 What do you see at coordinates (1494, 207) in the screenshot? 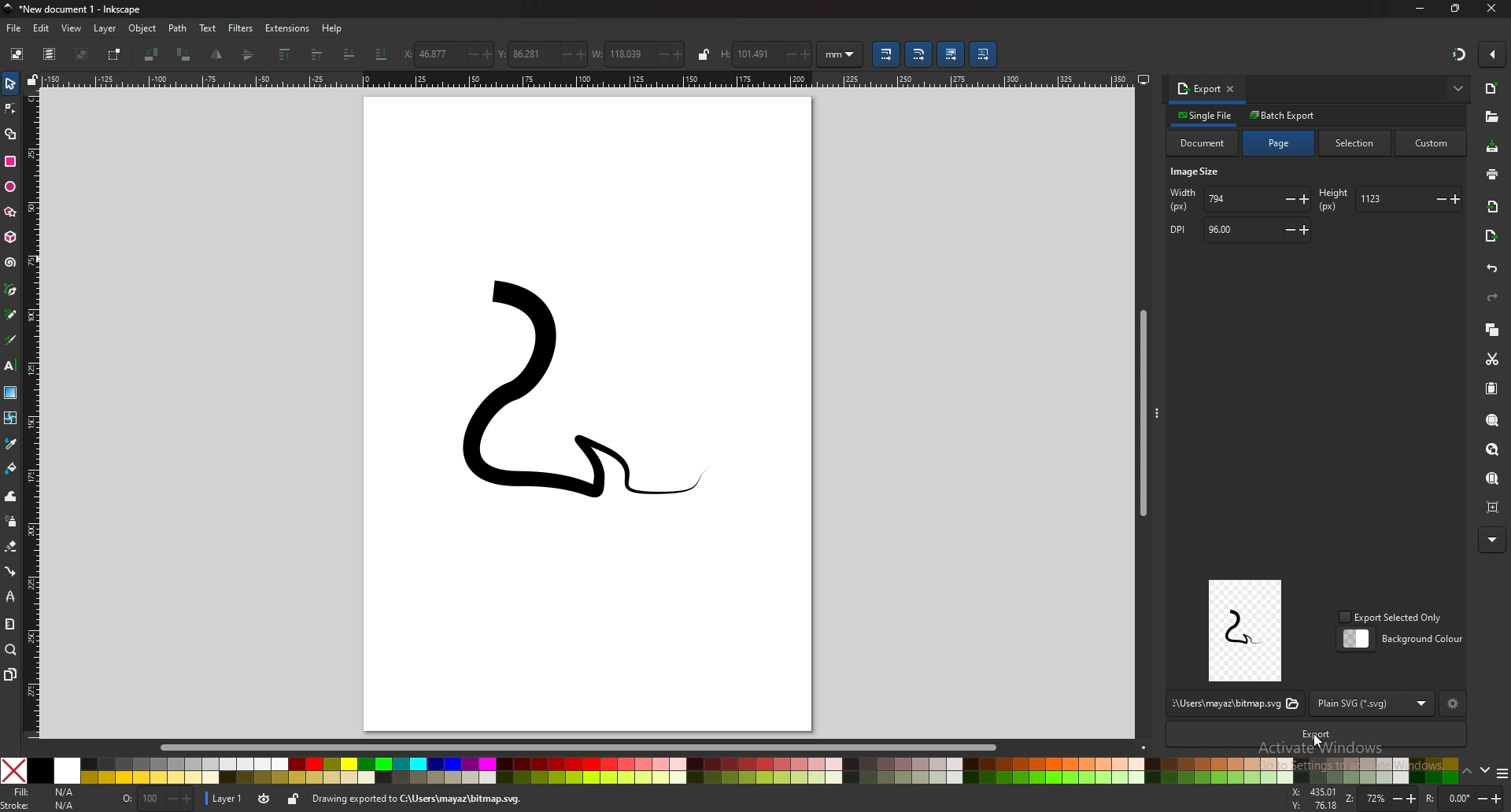
I see `import` at bounding box center [1494, 207].